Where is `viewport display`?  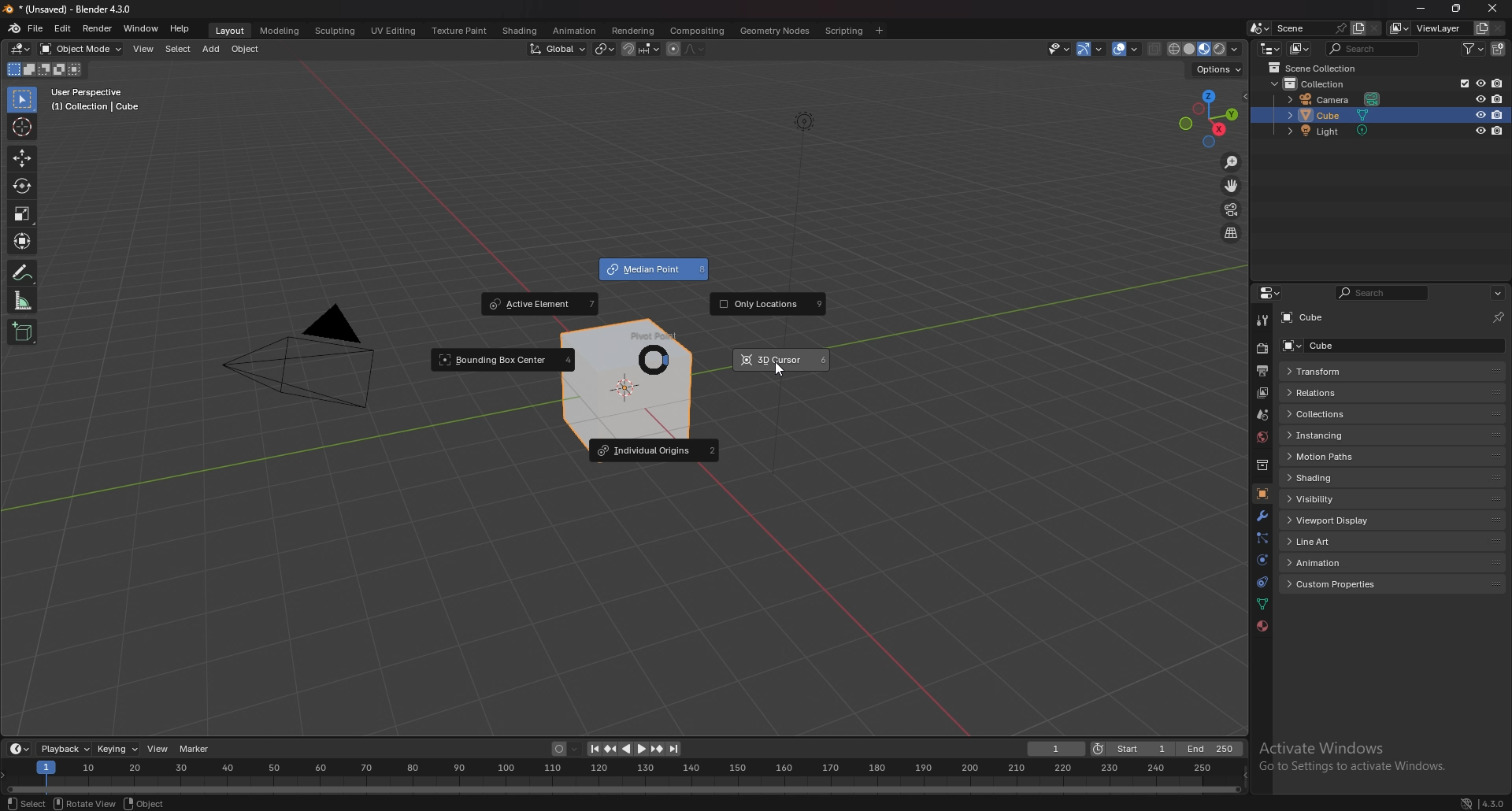 viewport display is located at coordinates (1335, 519).